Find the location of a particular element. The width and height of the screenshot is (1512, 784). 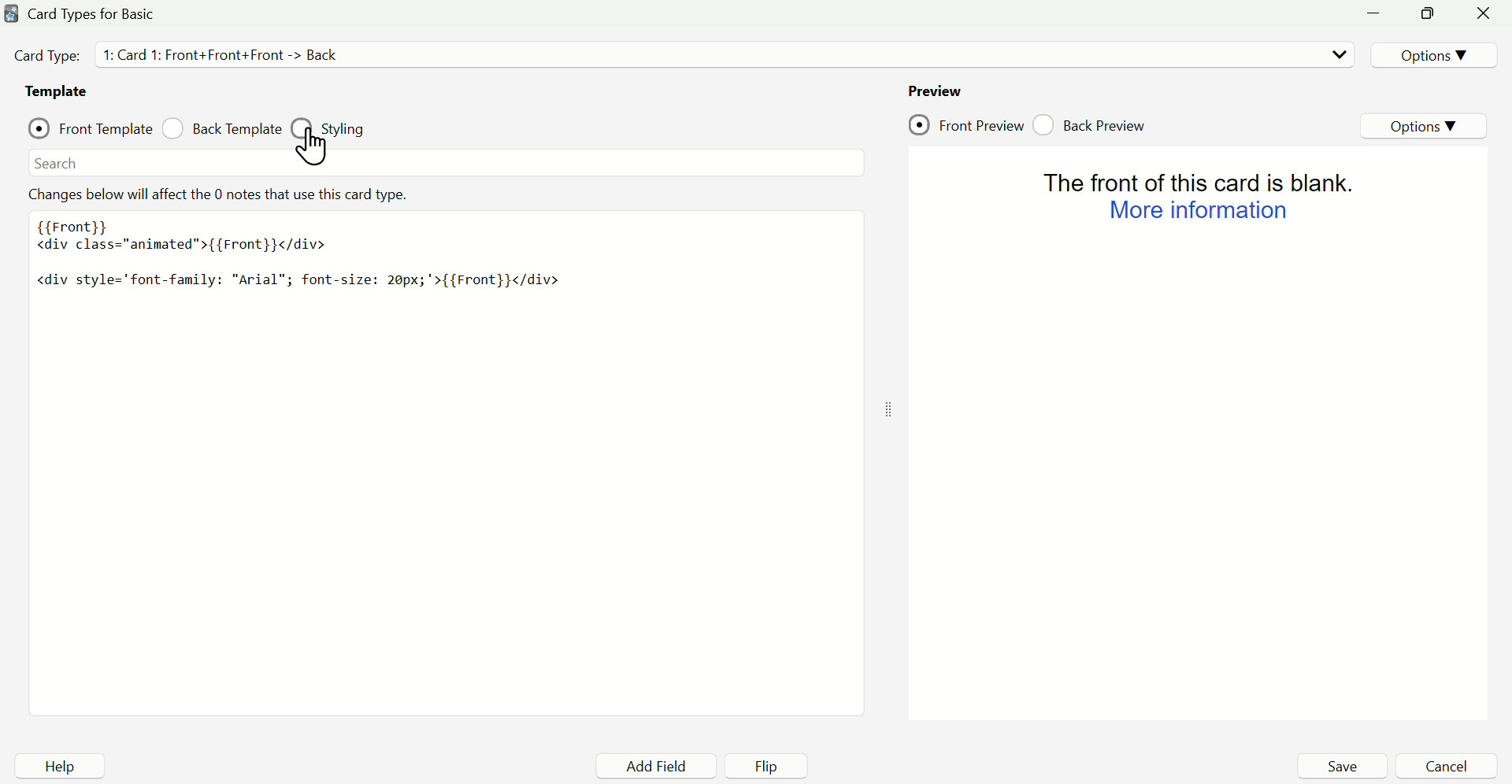

Front Template is located at coordinates (90, 128).